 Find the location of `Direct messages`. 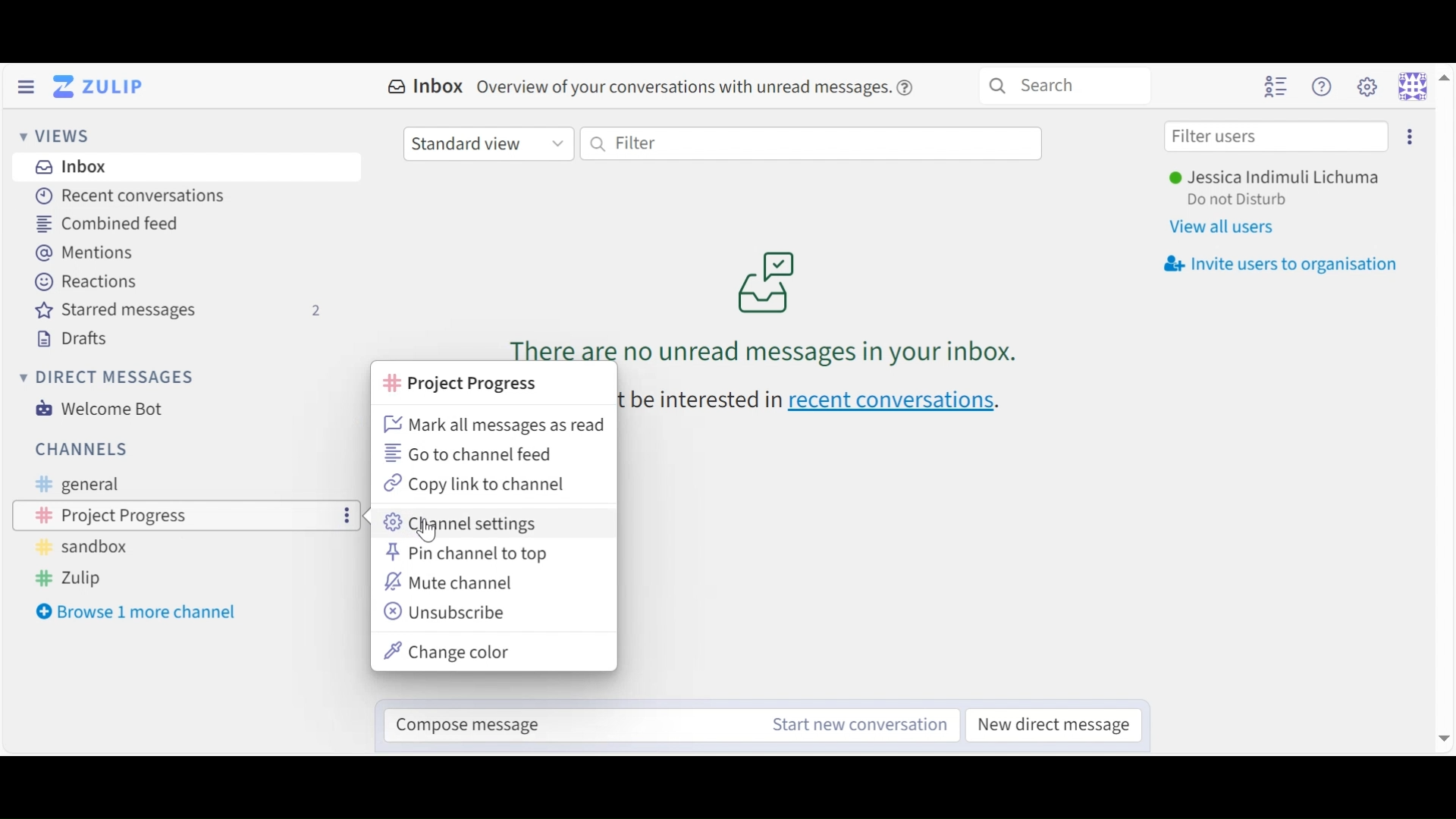

Direct messages is located at coordinates (111, 381).